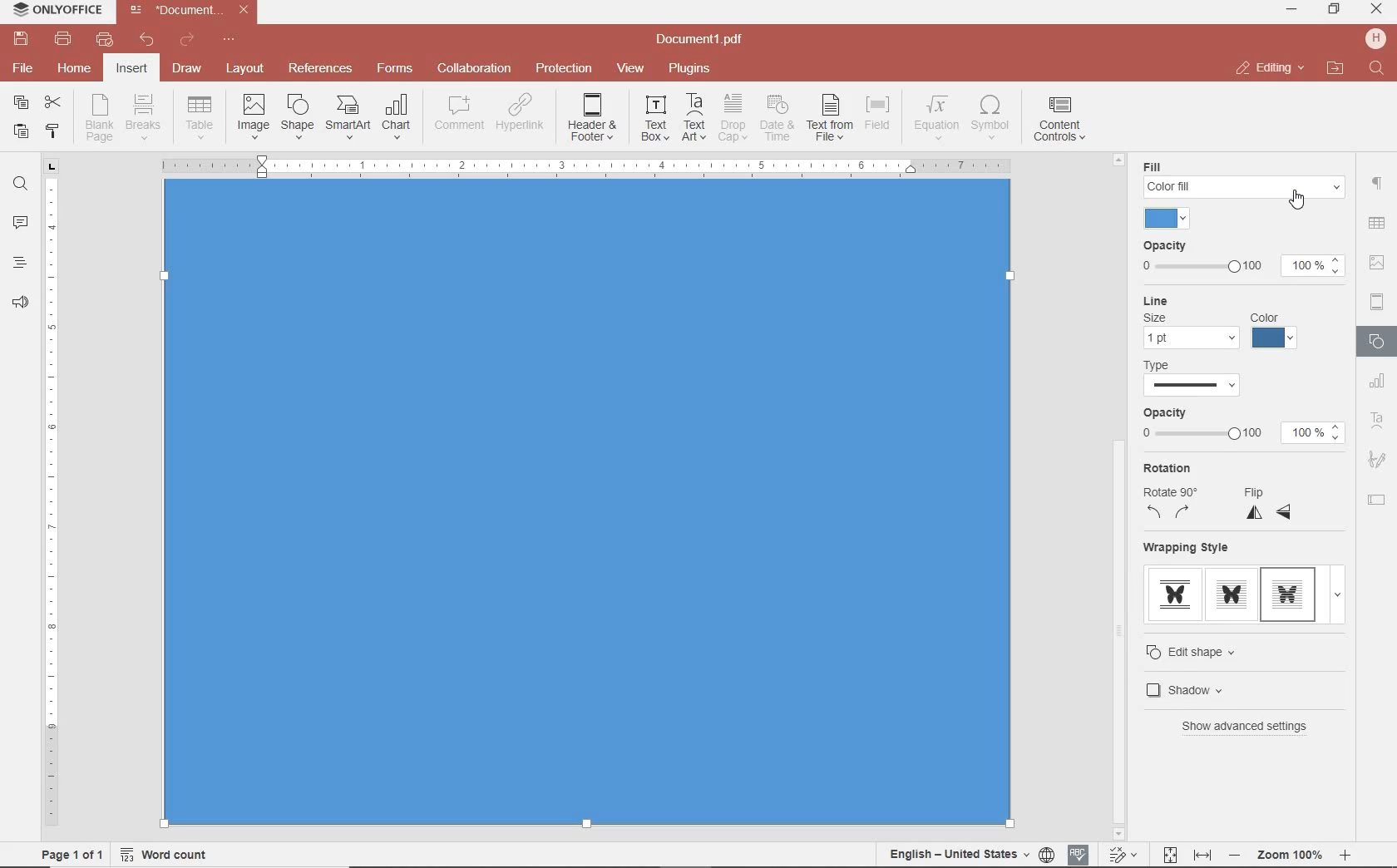  What do you see at coordinates (24, 68) in the screenshot?
I see `file` at bounding box center [24, 68].